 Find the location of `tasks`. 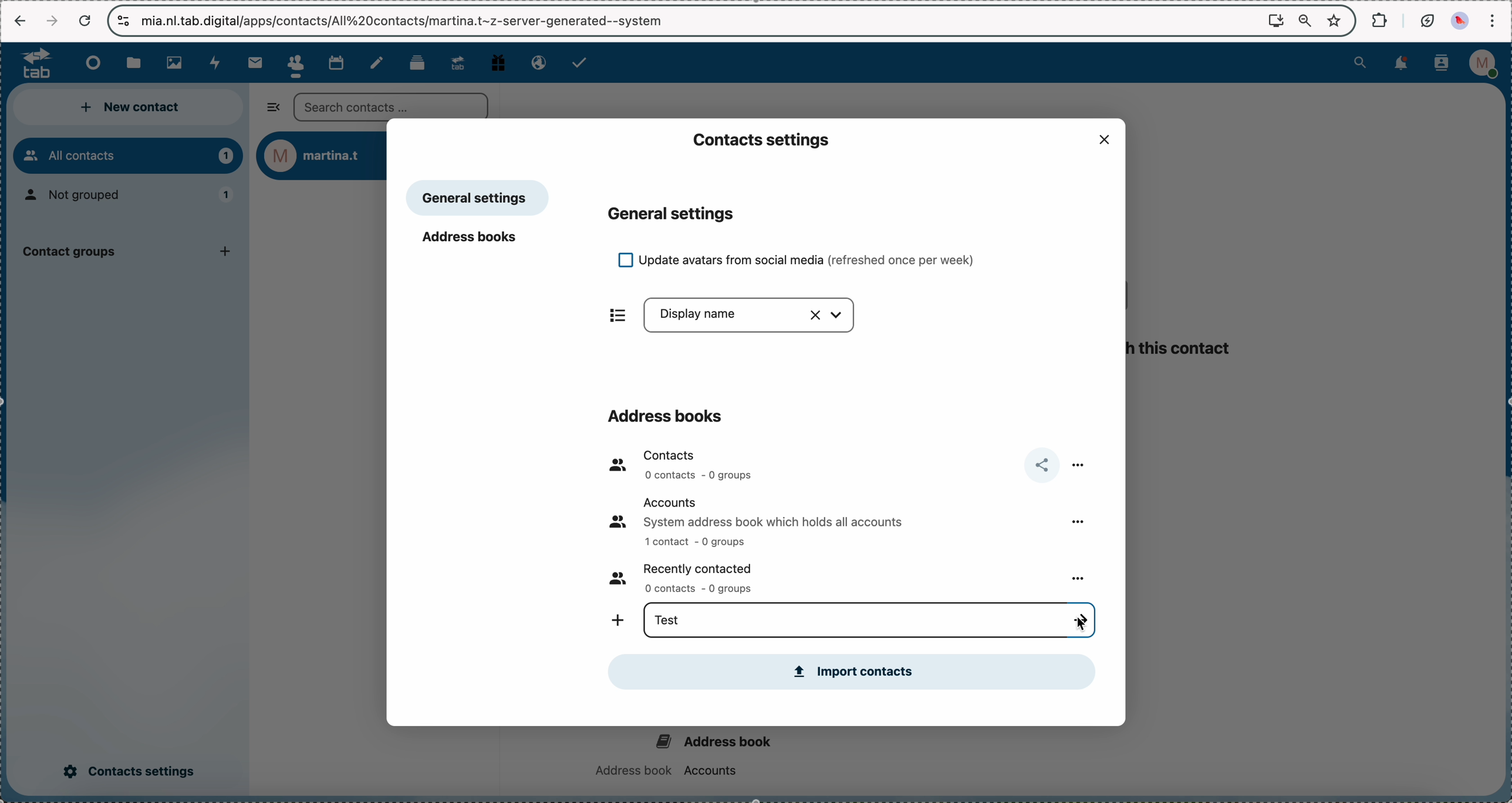

tasks is located at coordinates (584, 64).